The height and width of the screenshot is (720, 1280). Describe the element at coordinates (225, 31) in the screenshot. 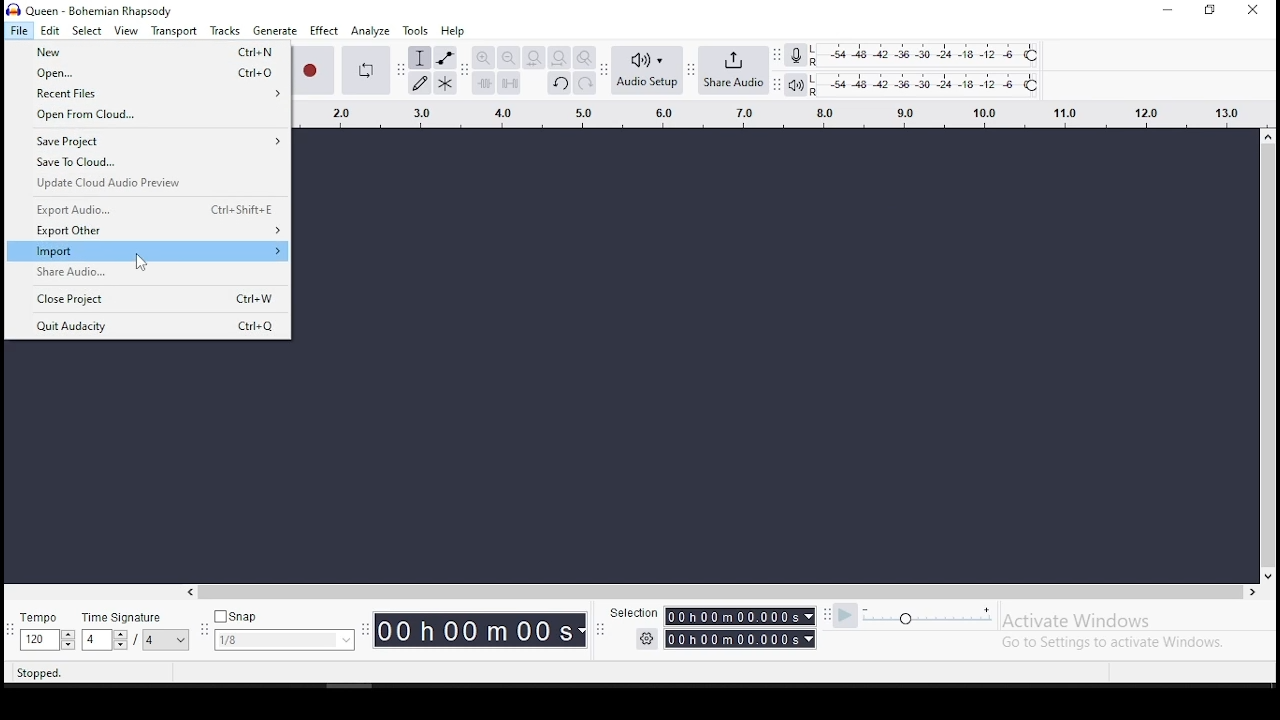

I see `tracks` at that location.